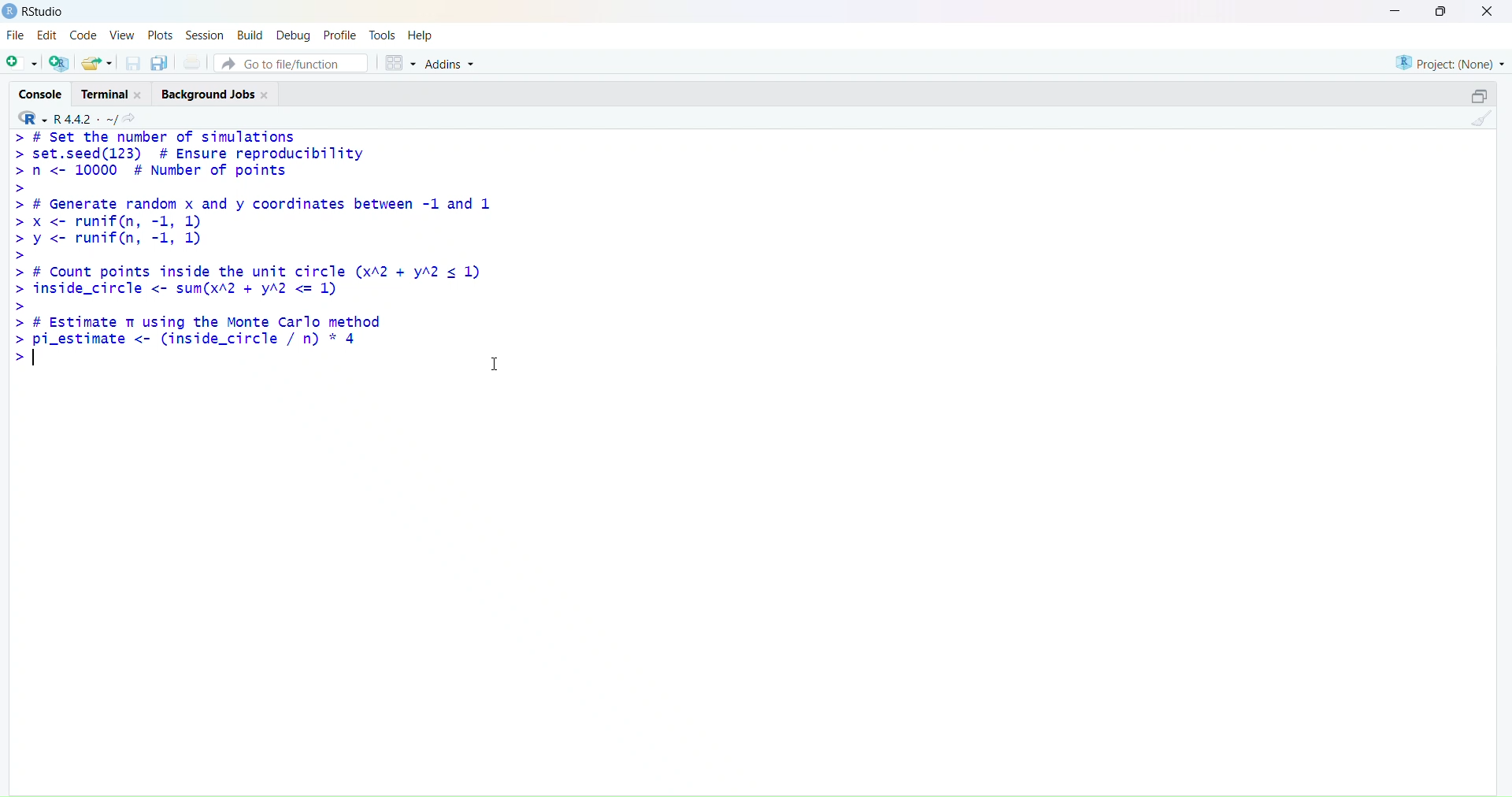 The image size is (1512, 797). What do you see at coordinates (296, 34) in the screenshot?
I see `Debug` at bounding box center [296, 34].